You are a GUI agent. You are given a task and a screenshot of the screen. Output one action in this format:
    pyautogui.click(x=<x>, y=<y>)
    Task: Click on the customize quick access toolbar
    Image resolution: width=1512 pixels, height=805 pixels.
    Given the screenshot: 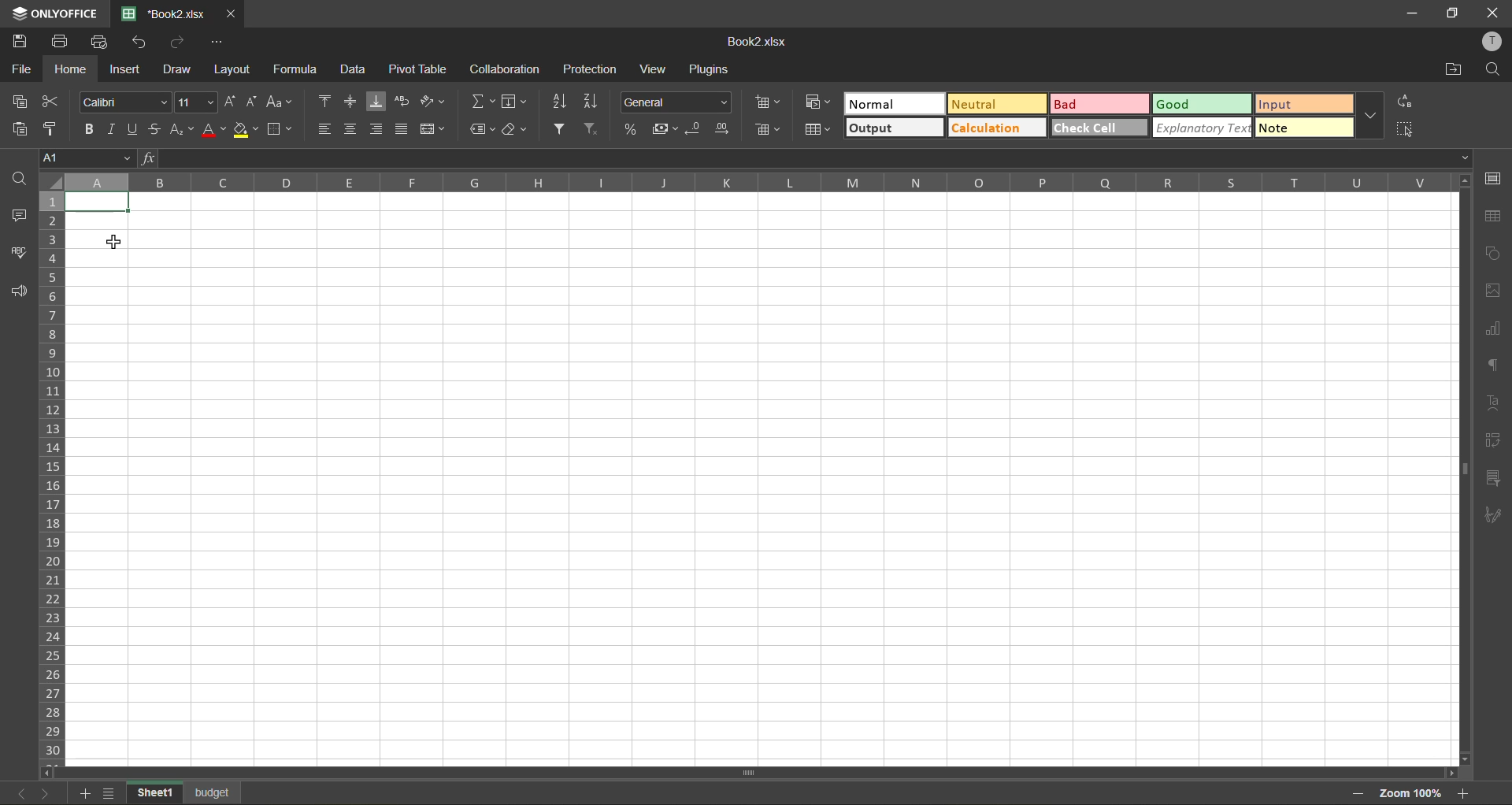 What is the action you would take?
    pyautogui.click(x=221, y=42)
    